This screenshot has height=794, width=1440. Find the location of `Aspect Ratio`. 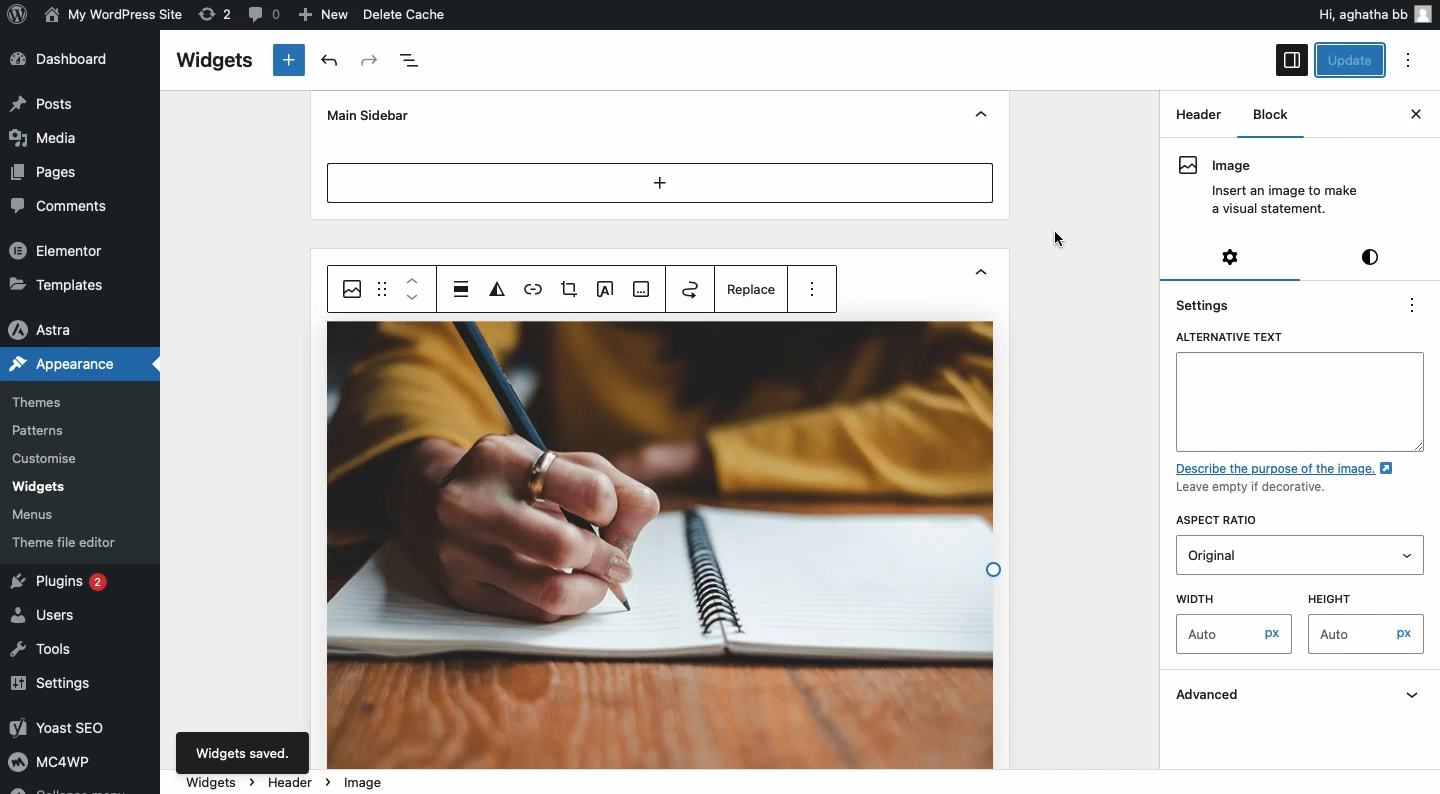

Aspect Ratio is located at coordinates (1223, 521).